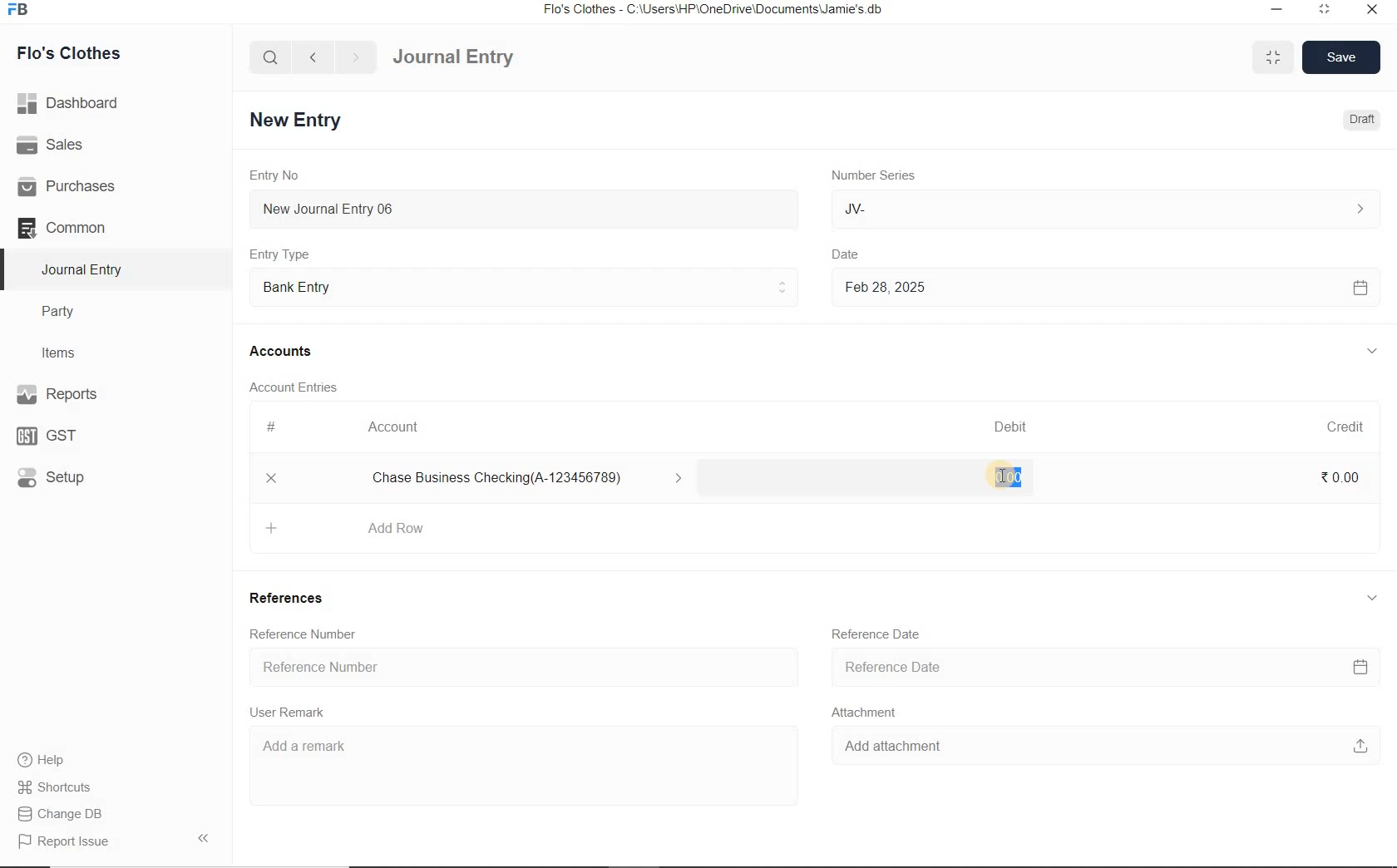 This screenshot has height=868, width=1397. What do you see at coordinates (83, 396) in the screenshot?
I see `Reports` at bounding box center [83, 396].